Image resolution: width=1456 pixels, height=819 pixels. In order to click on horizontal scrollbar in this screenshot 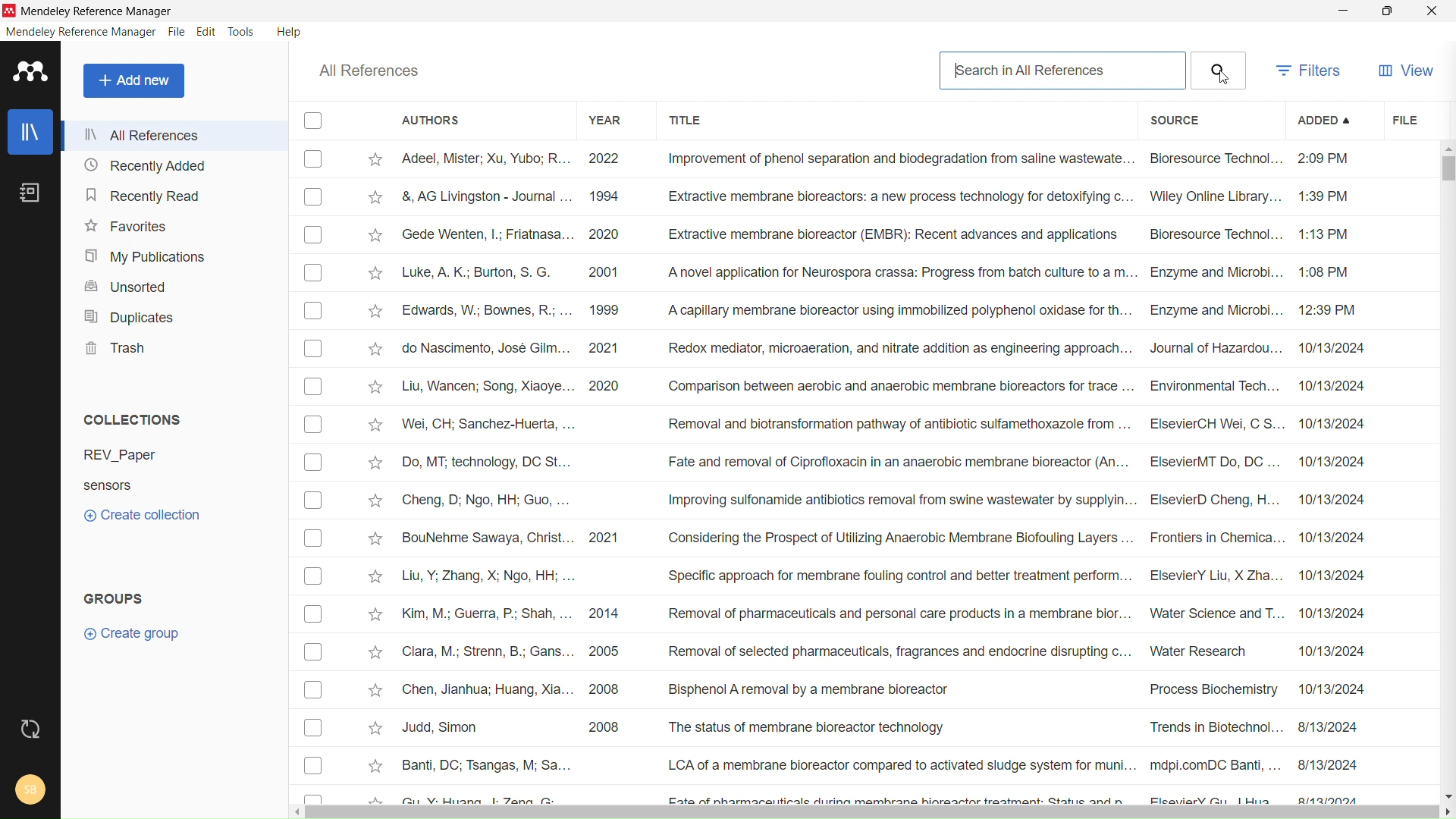, I will do `click(864, 813)`.